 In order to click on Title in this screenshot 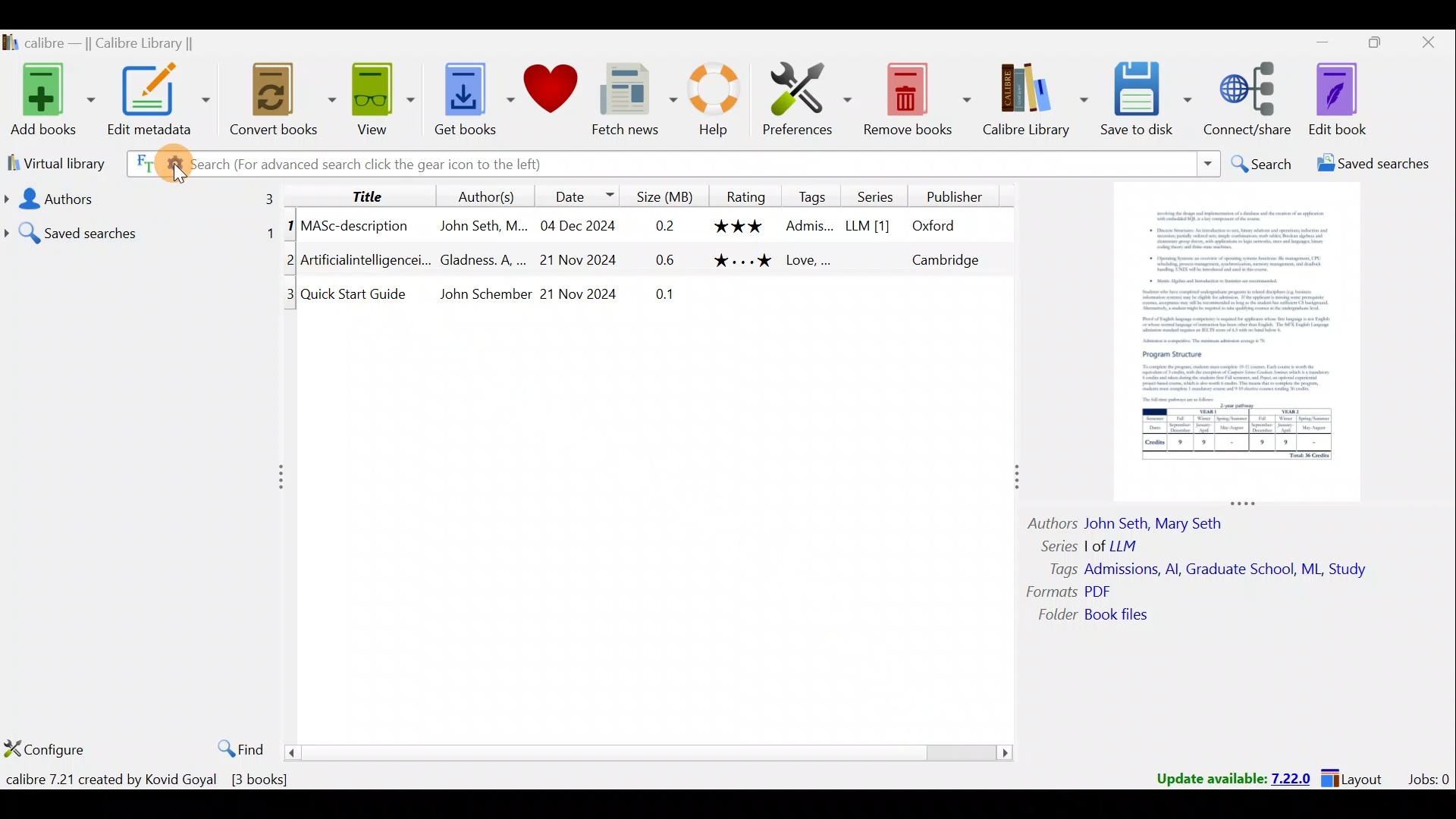, I will do `click(368, 195)`.